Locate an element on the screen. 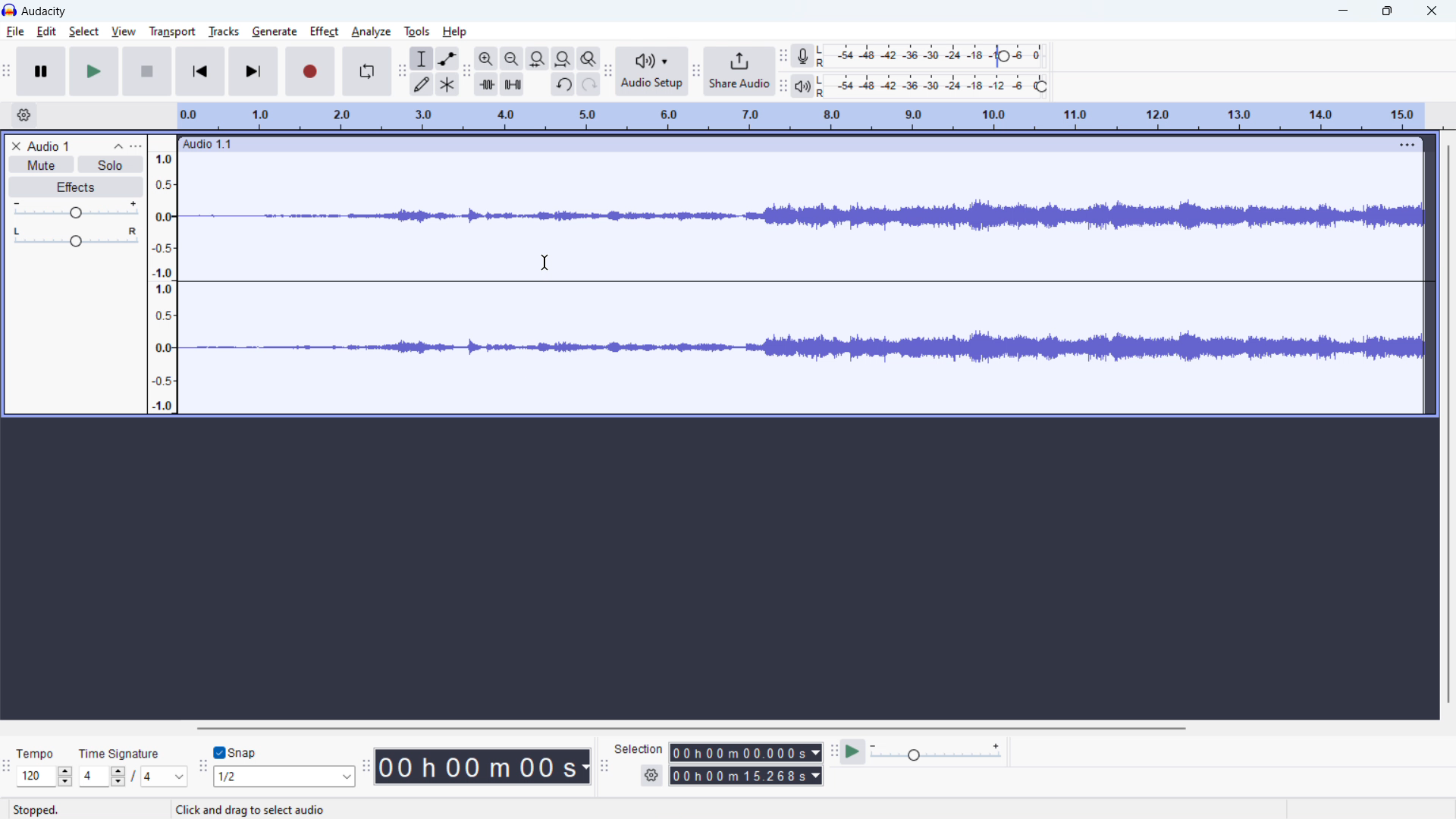  collapse is located at coordinates (117, 146).